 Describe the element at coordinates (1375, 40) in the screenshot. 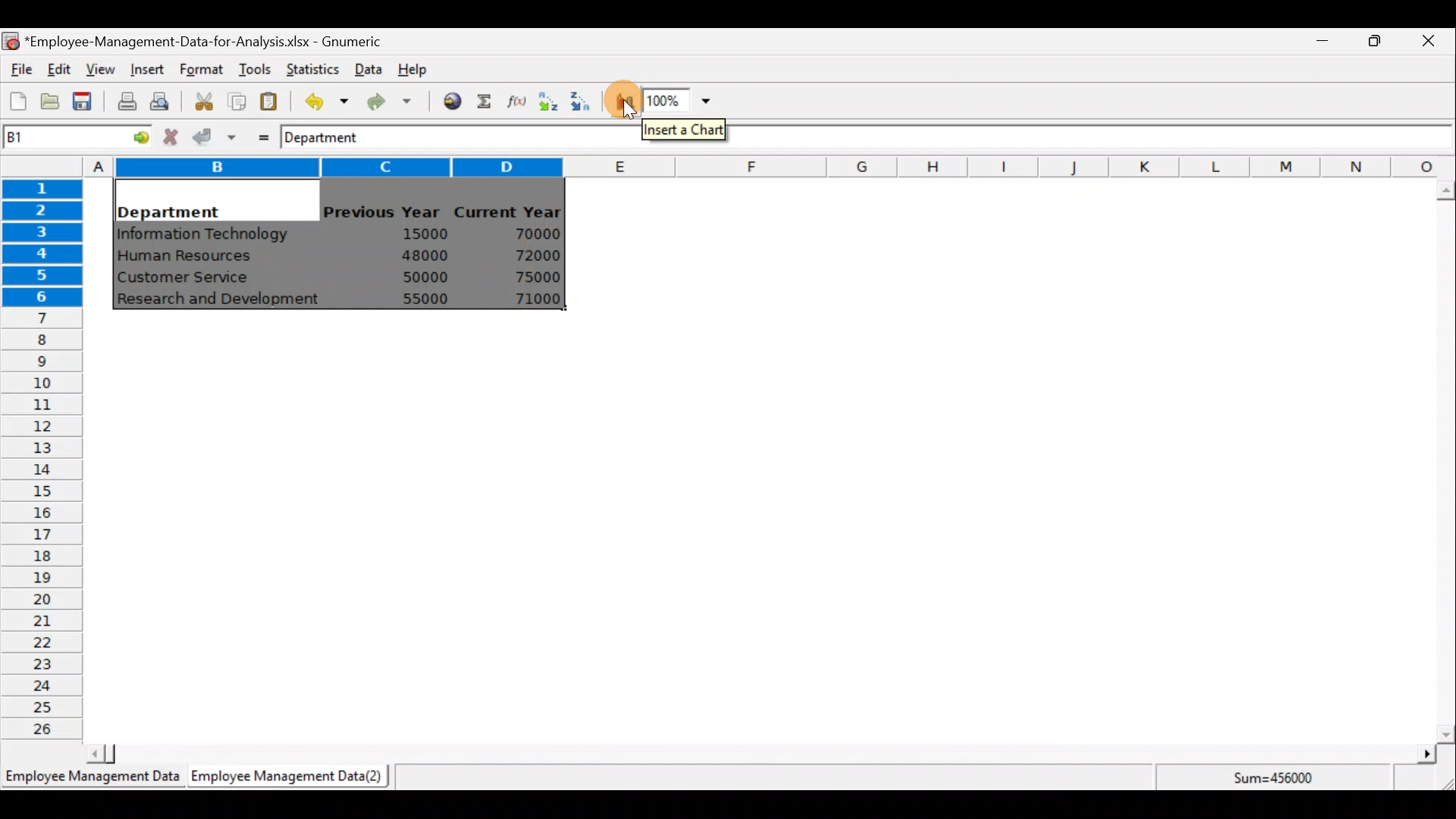

I see `Maximize` at that location.